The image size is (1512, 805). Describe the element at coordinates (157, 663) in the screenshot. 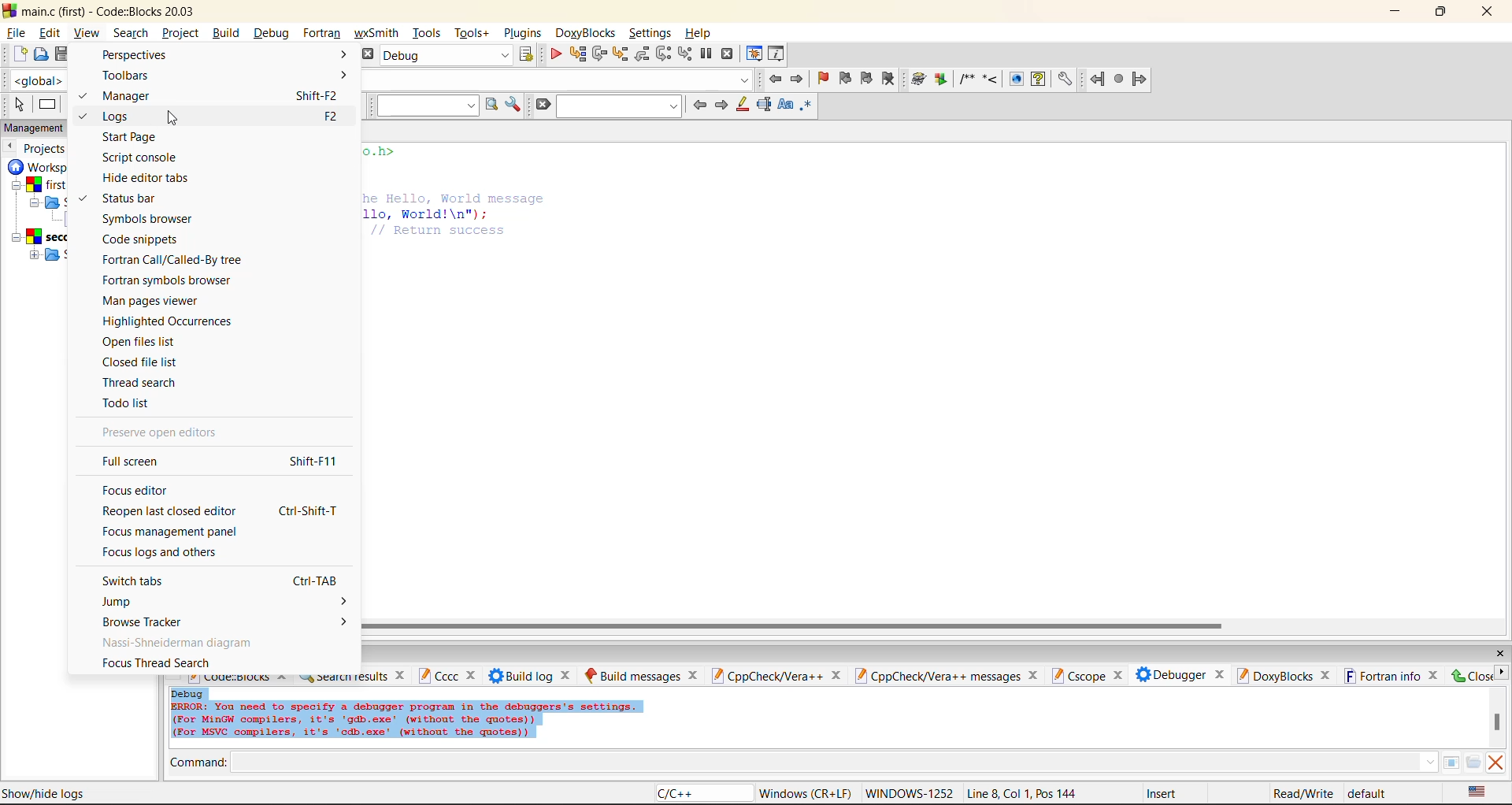

I see `focus thread search` at that location.